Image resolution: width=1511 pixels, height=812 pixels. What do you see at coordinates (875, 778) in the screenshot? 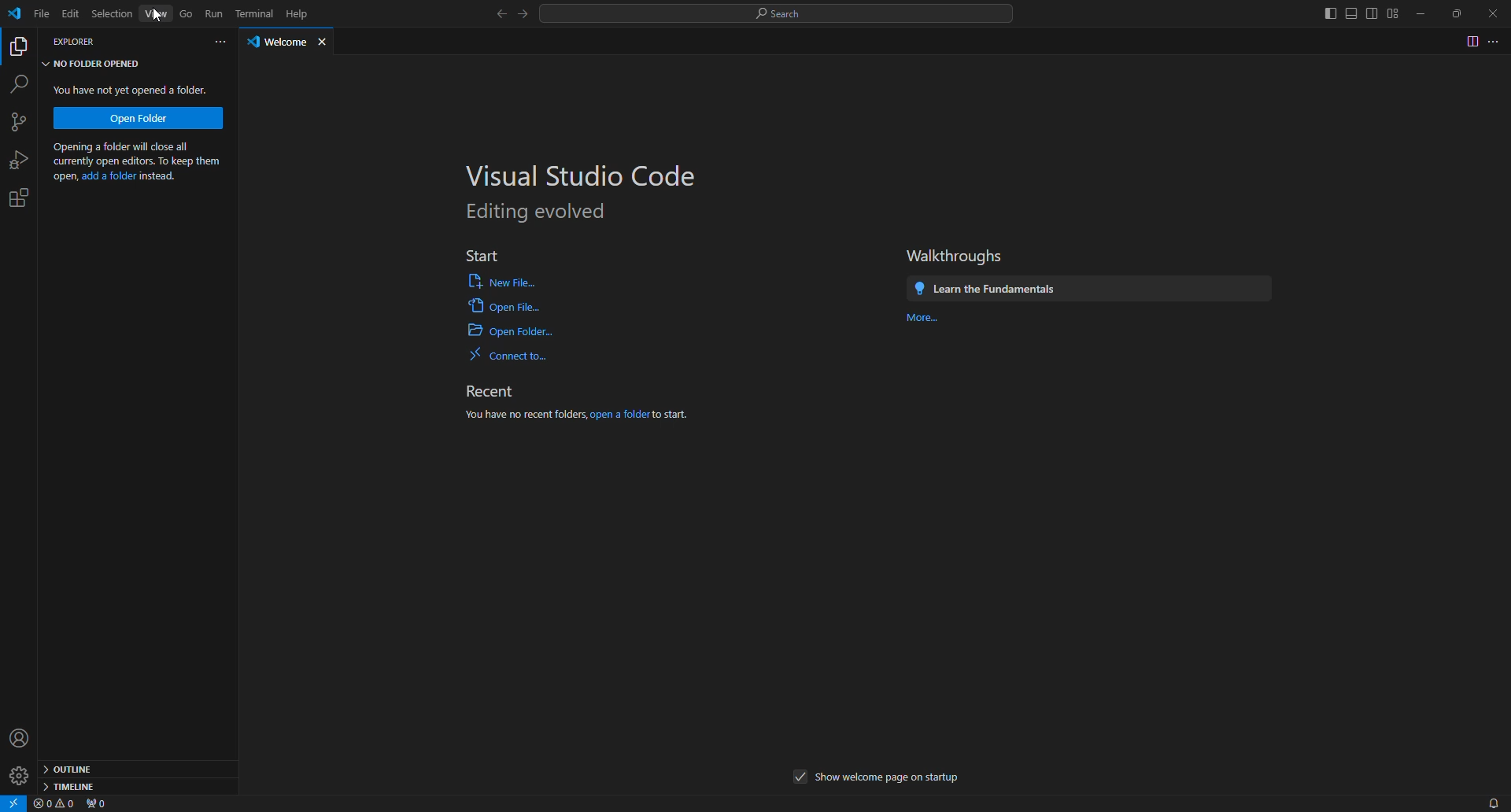
I see `show welcome page on startup` at bounding box center [875, 778].